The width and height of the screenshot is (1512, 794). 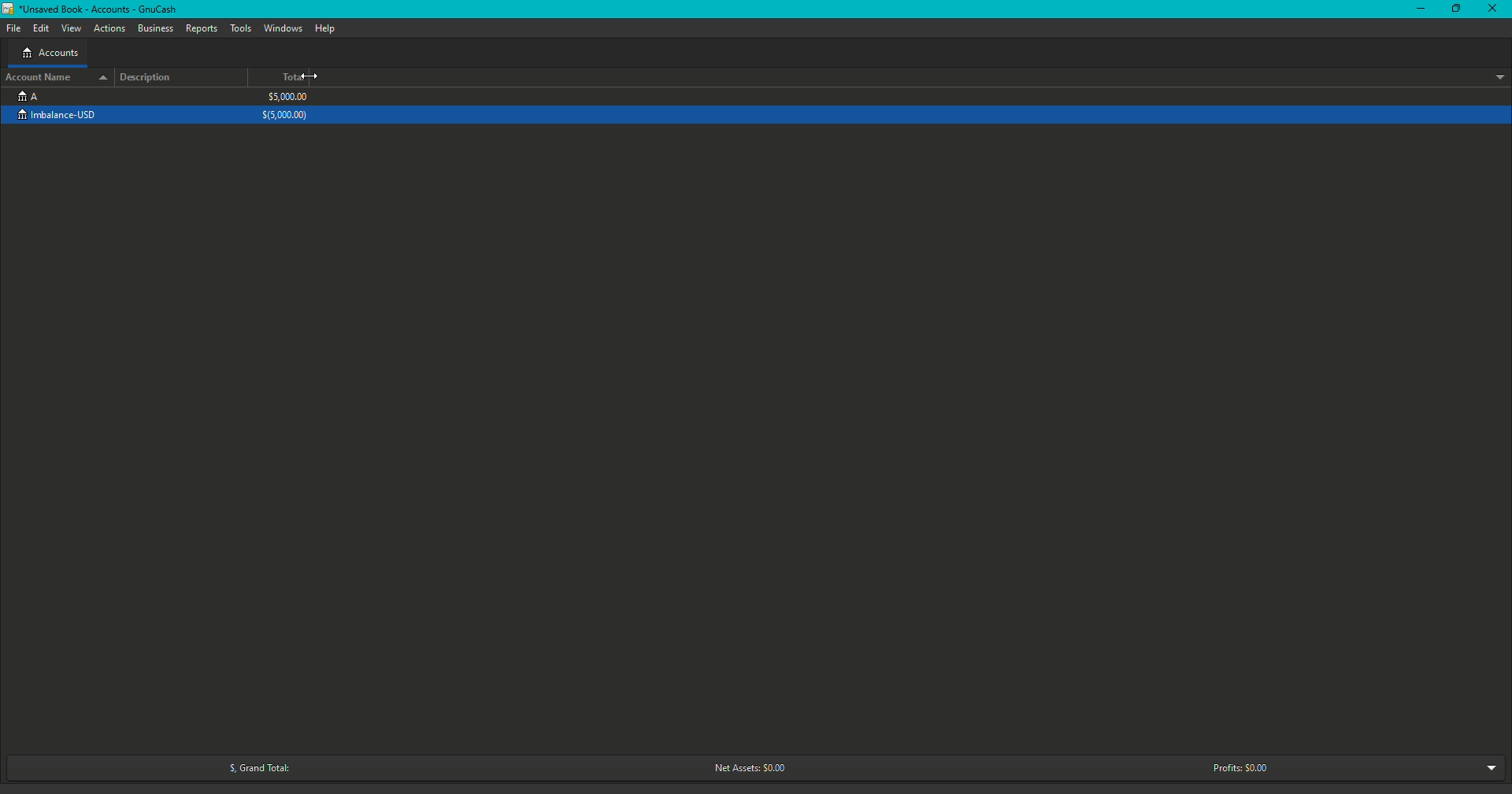 What do you see at coordinates (287, 106) in the screenshot?
I see `$5,000` at bounding box center [287, 106].